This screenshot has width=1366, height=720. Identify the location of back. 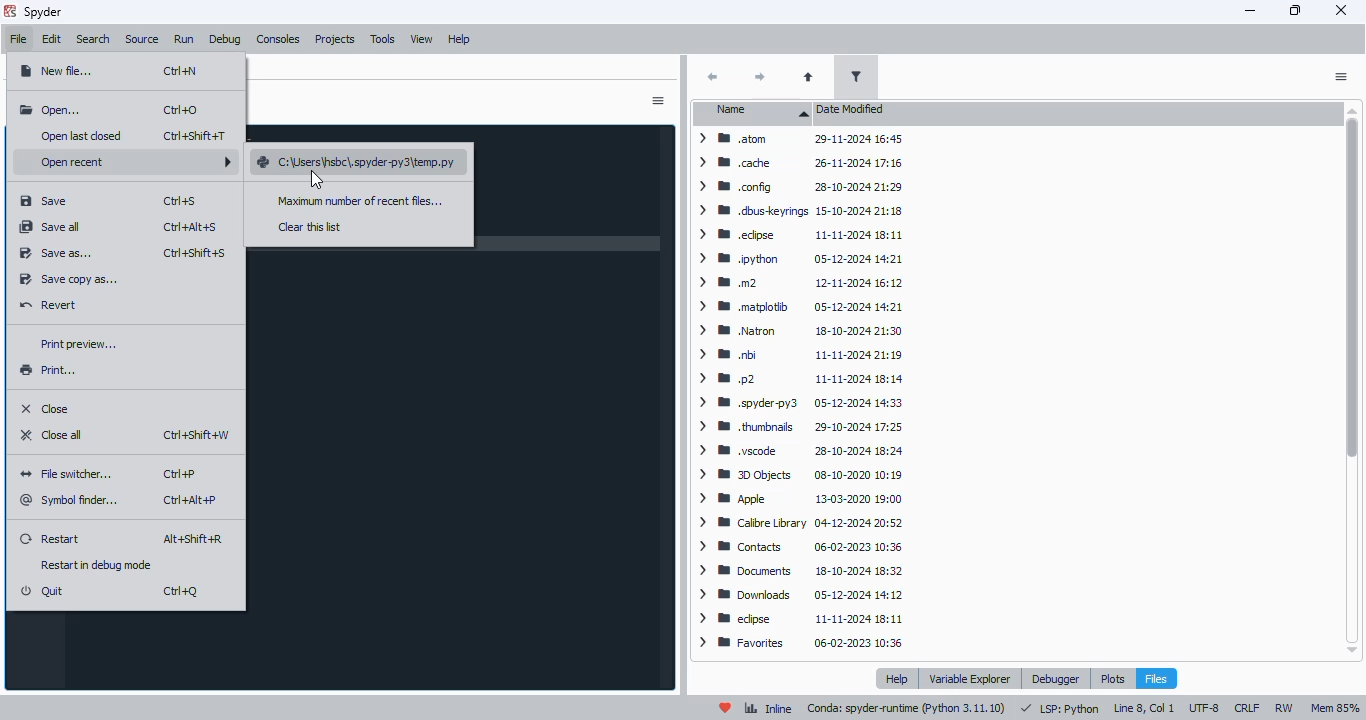
(712, 77).